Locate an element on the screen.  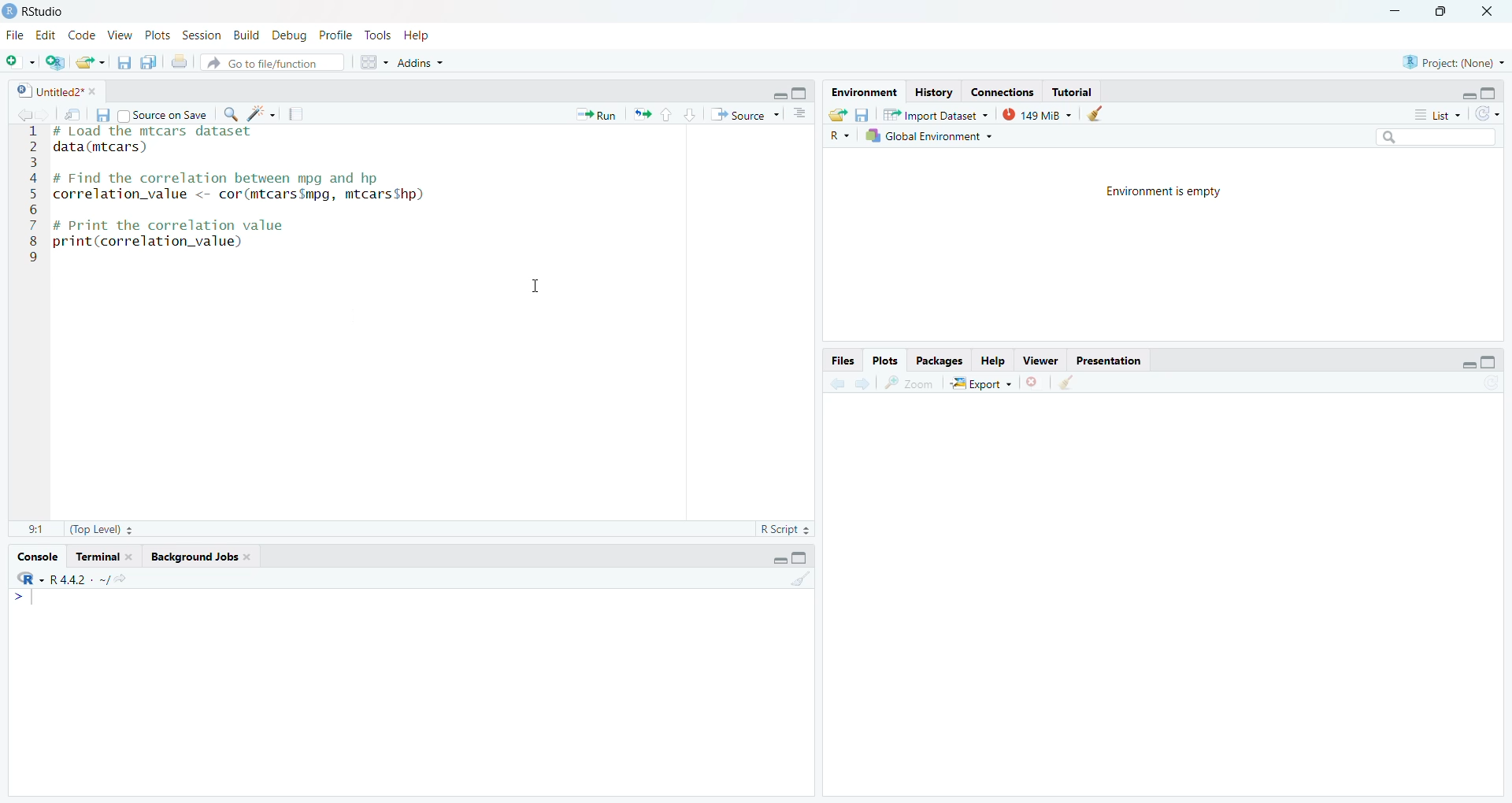
Maximize is located at coordinates (1492, 93).